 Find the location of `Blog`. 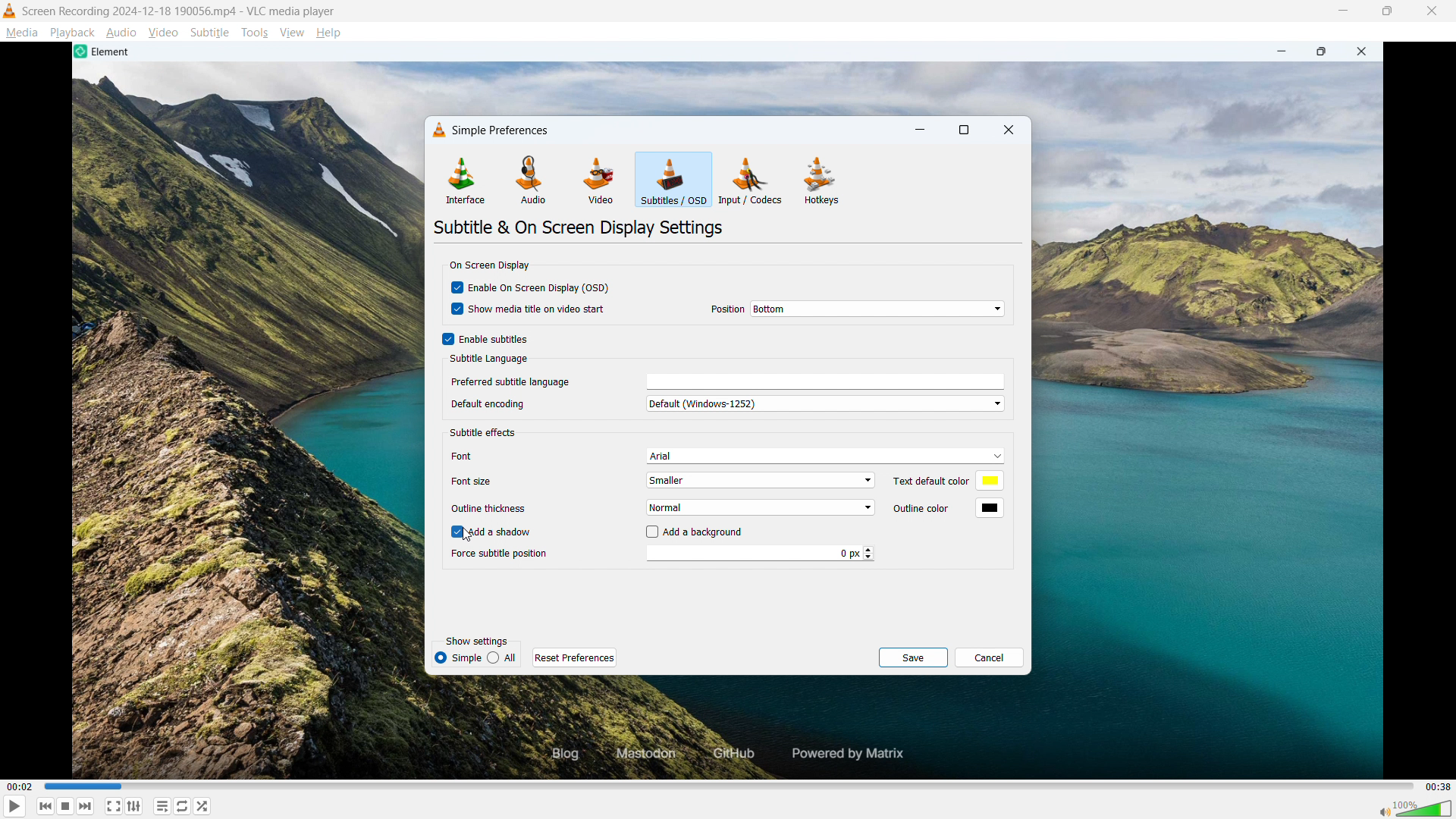

Blog is located at coordinates (554, 755).